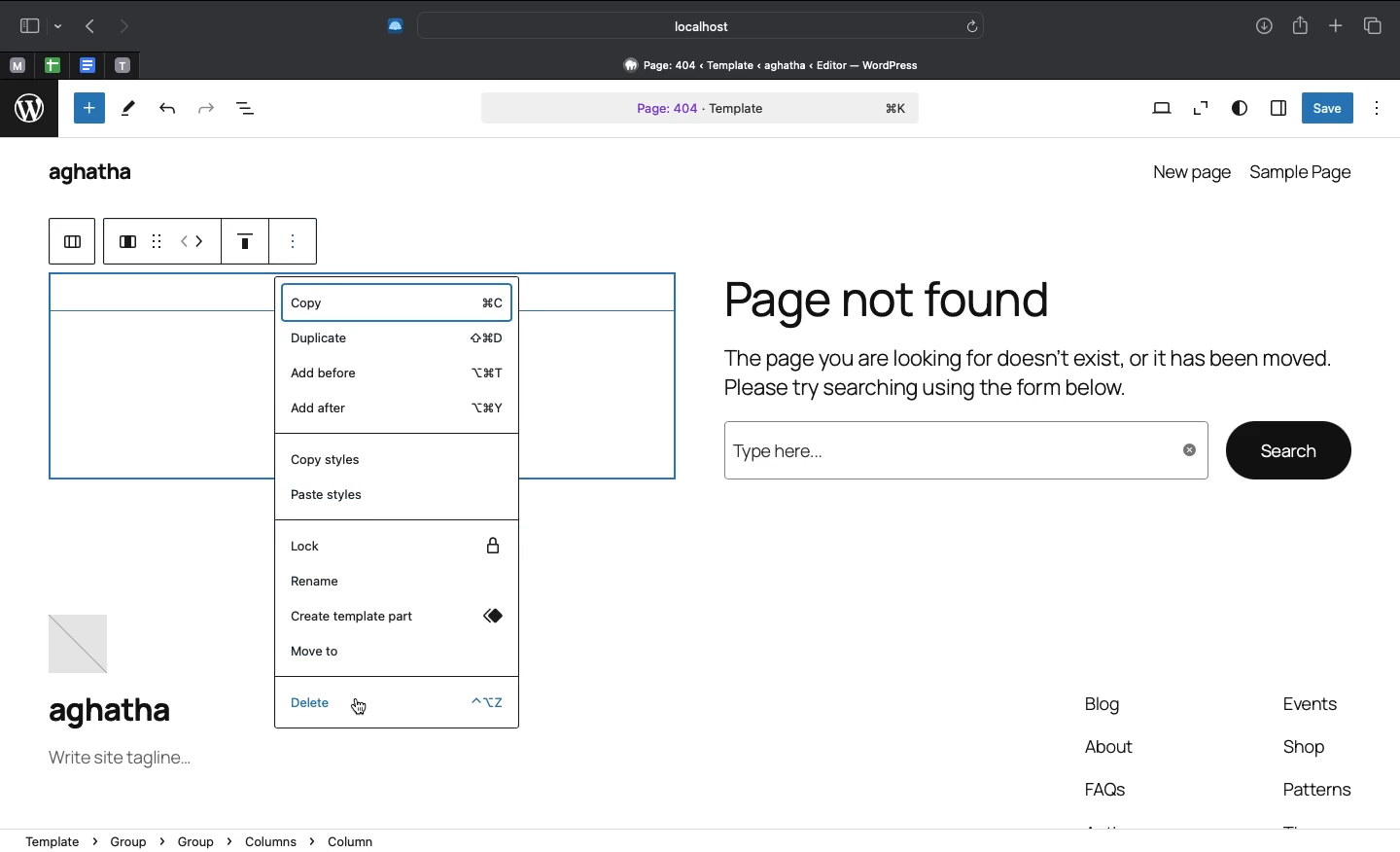  What do you see at coordinates (169, 112) in the screenshot?
I see `Undo` at bounding box center [169, 112].